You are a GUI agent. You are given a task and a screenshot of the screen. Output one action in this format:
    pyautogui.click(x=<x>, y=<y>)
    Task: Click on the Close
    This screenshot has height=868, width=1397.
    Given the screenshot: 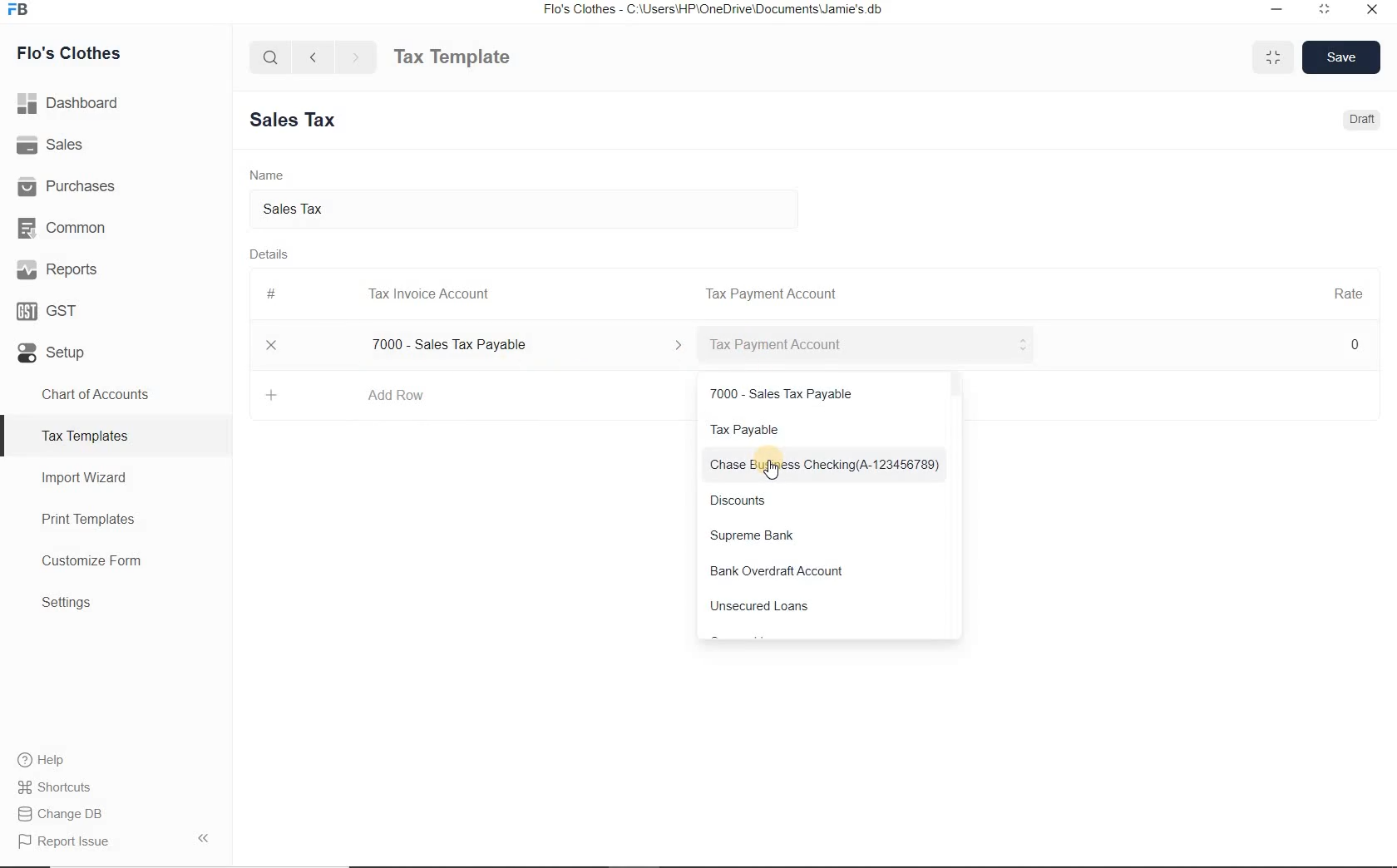 What is the action you would take?
    pyautogui.click(x=272, y=345)
    